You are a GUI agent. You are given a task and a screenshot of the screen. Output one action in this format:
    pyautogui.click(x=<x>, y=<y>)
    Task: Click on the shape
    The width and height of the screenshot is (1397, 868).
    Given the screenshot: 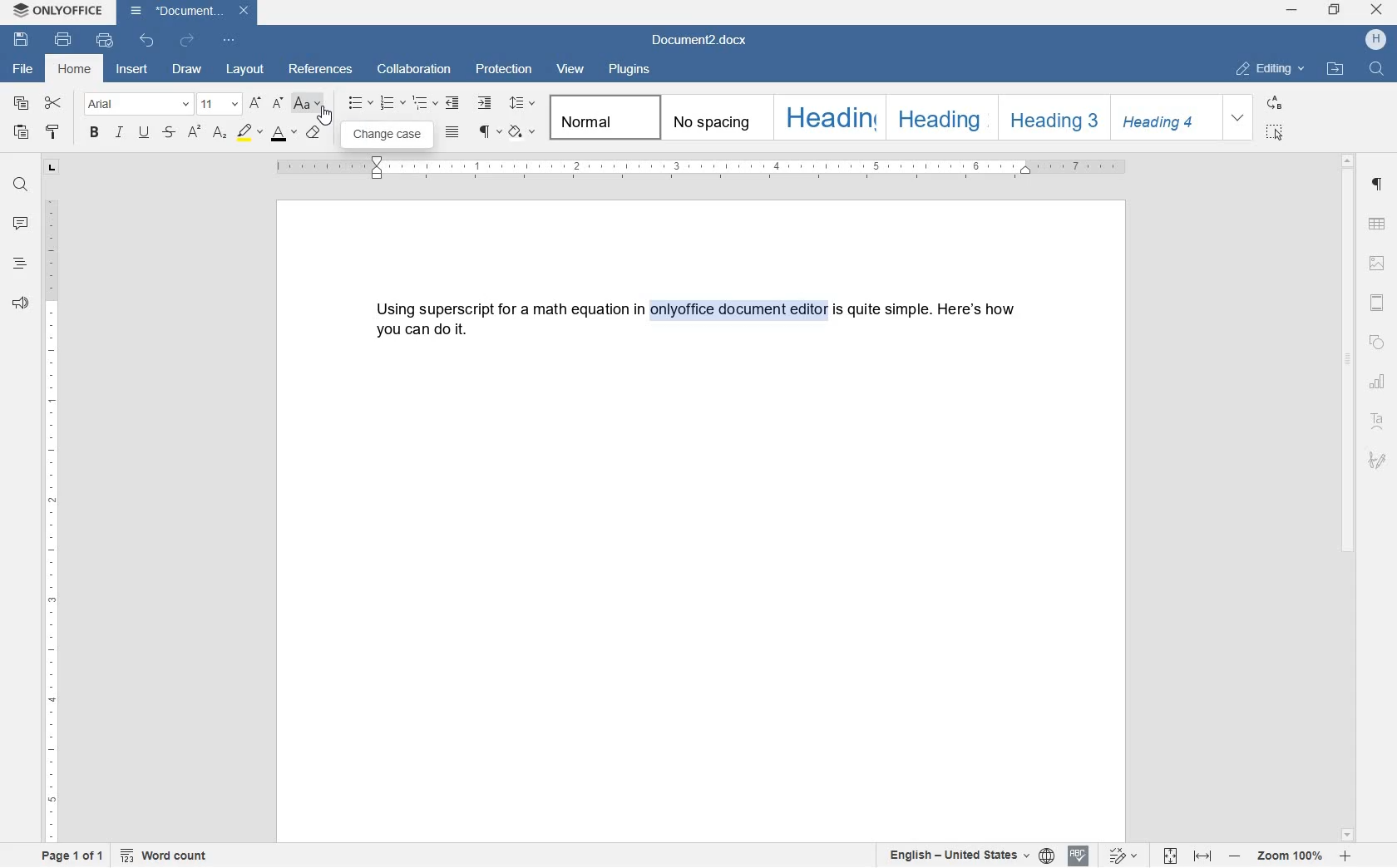 What is the action you would take?
    pyautogui.click(x=1376, y=344)
    